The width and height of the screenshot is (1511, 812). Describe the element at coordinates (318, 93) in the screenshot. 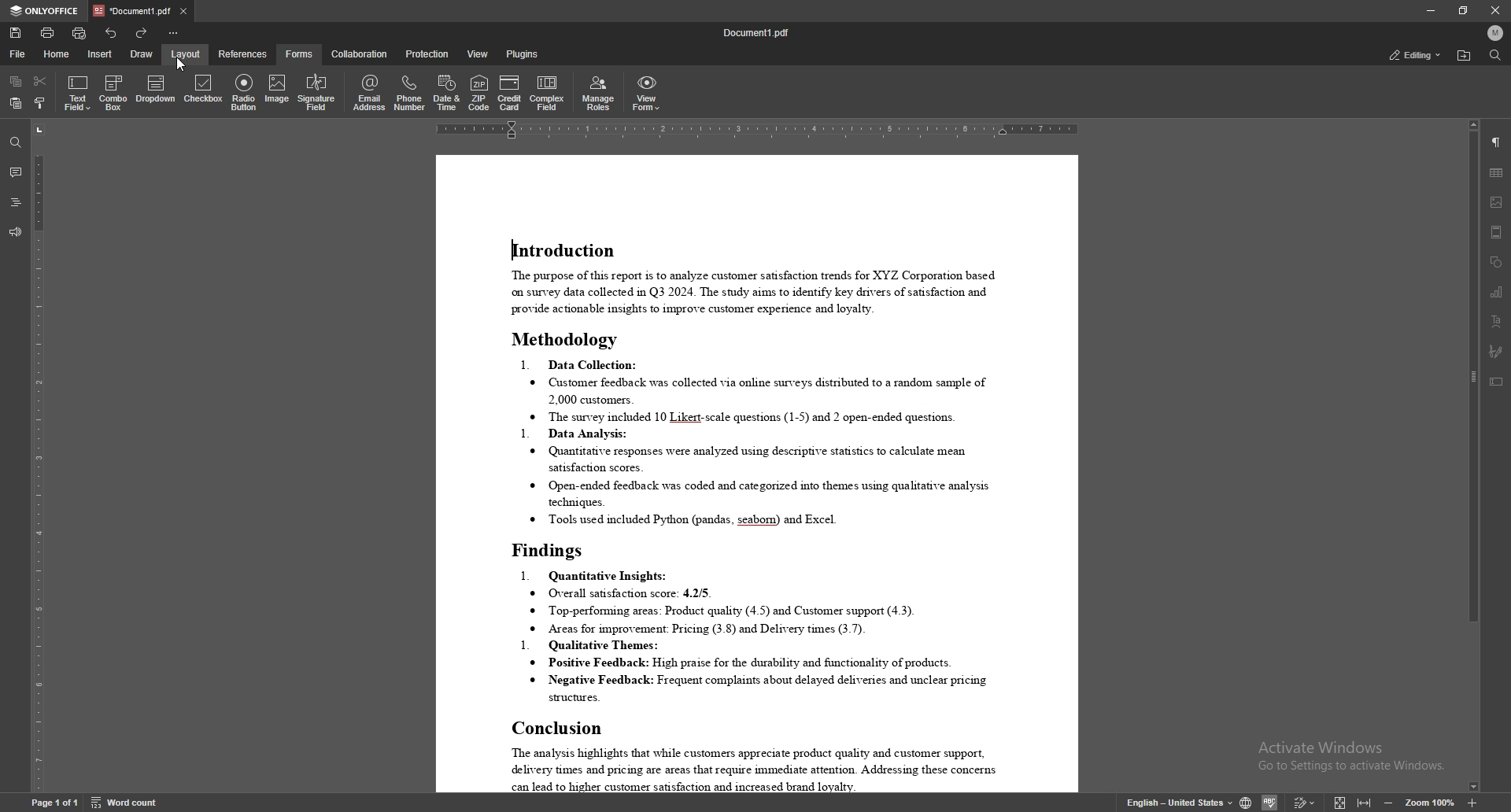

I see `signature field` at that location.